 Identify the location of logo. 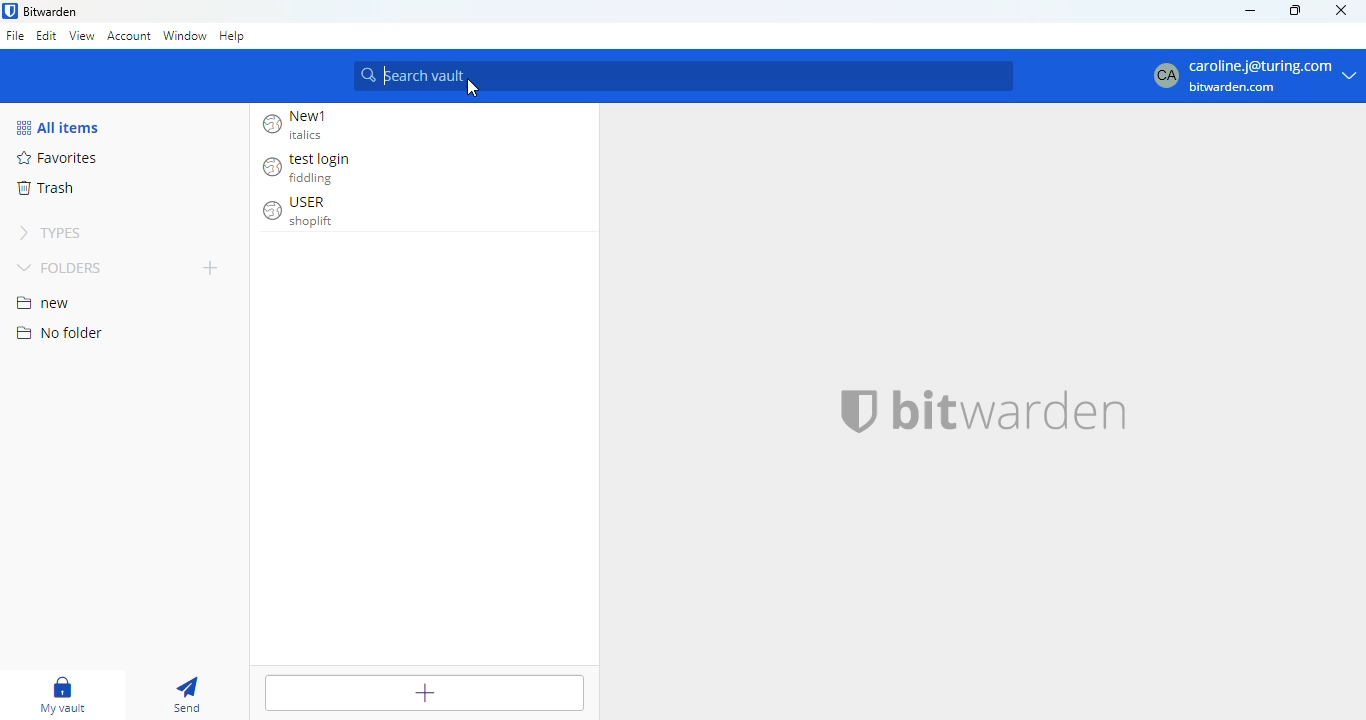
(10, 10).